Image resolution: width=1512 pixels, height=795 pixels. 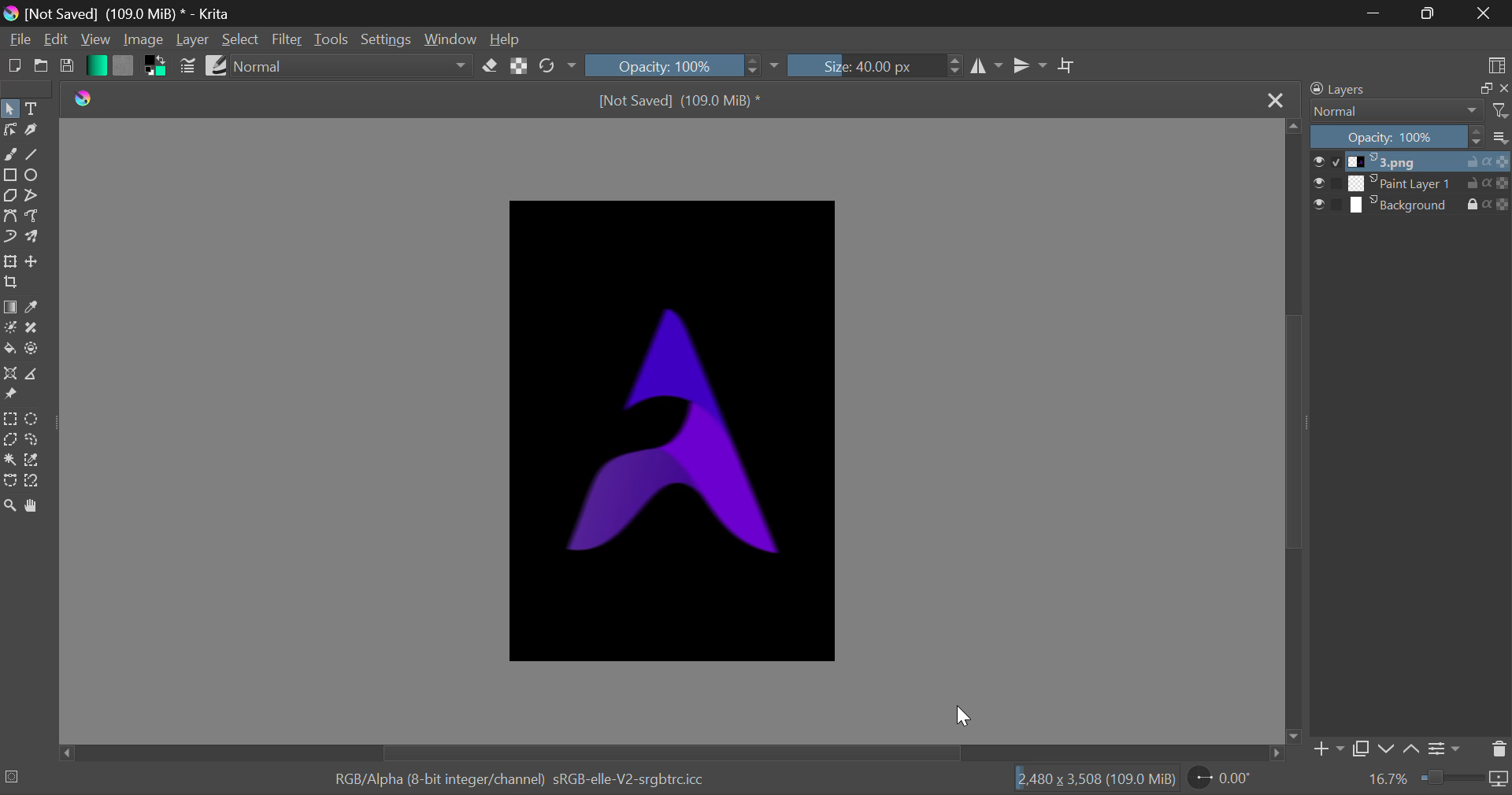 I want to click on Pan, so click(x=38, y=506).